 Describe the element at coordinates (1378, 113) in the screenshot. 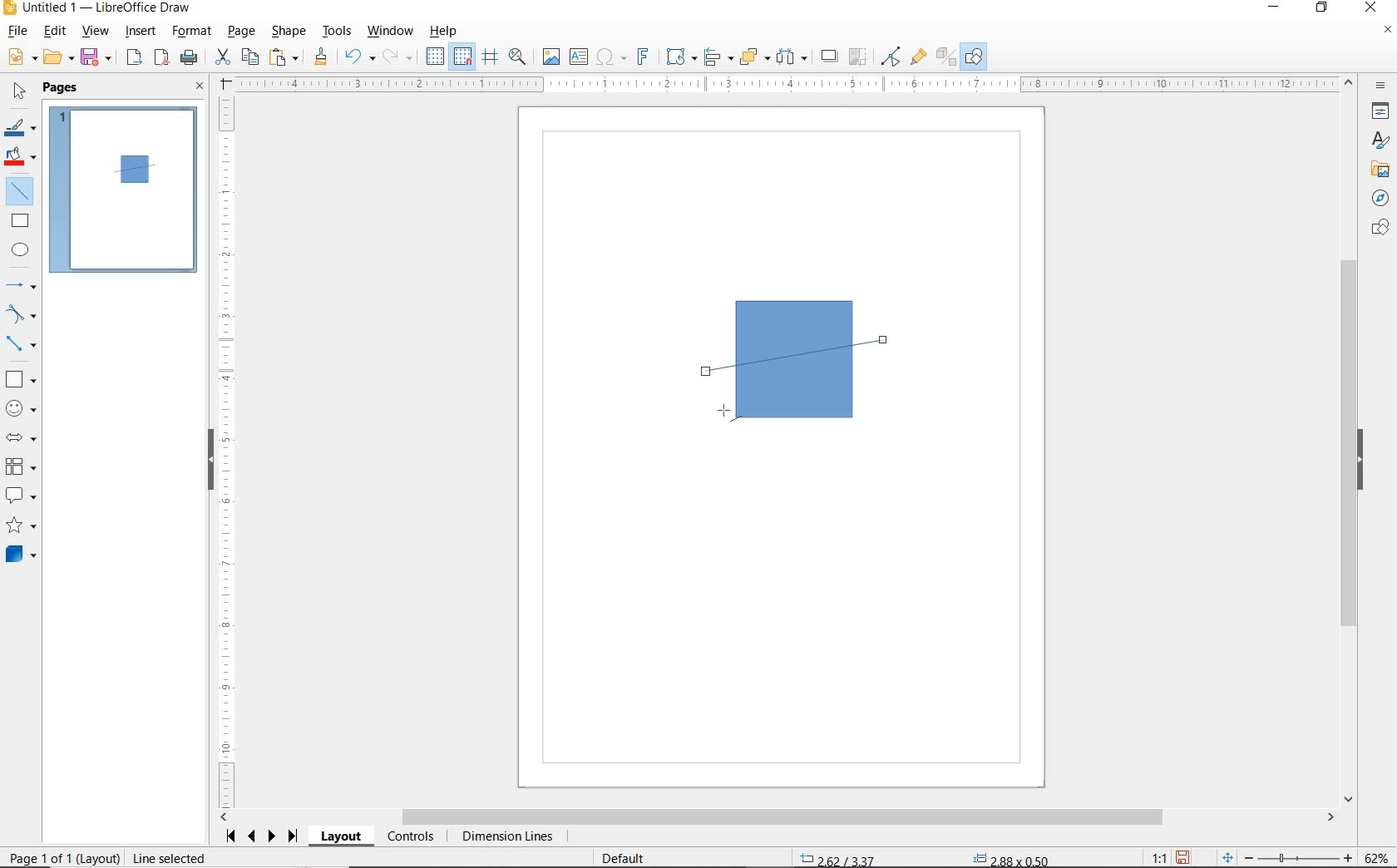

I see `PROPERTIES` at that location.